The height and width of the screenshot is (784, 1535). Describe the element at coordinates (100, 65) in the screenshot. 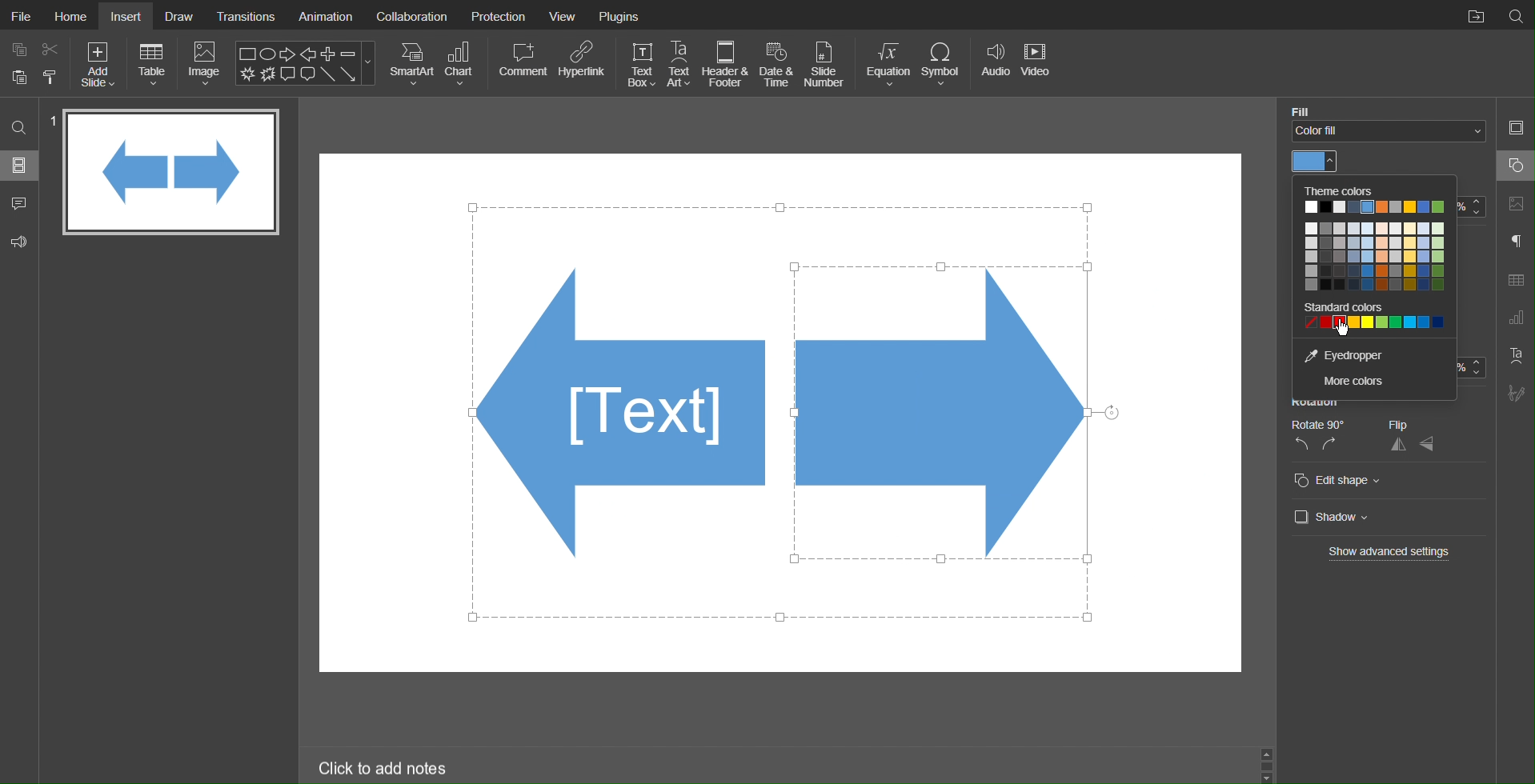

I see `Add Slide` at that location.